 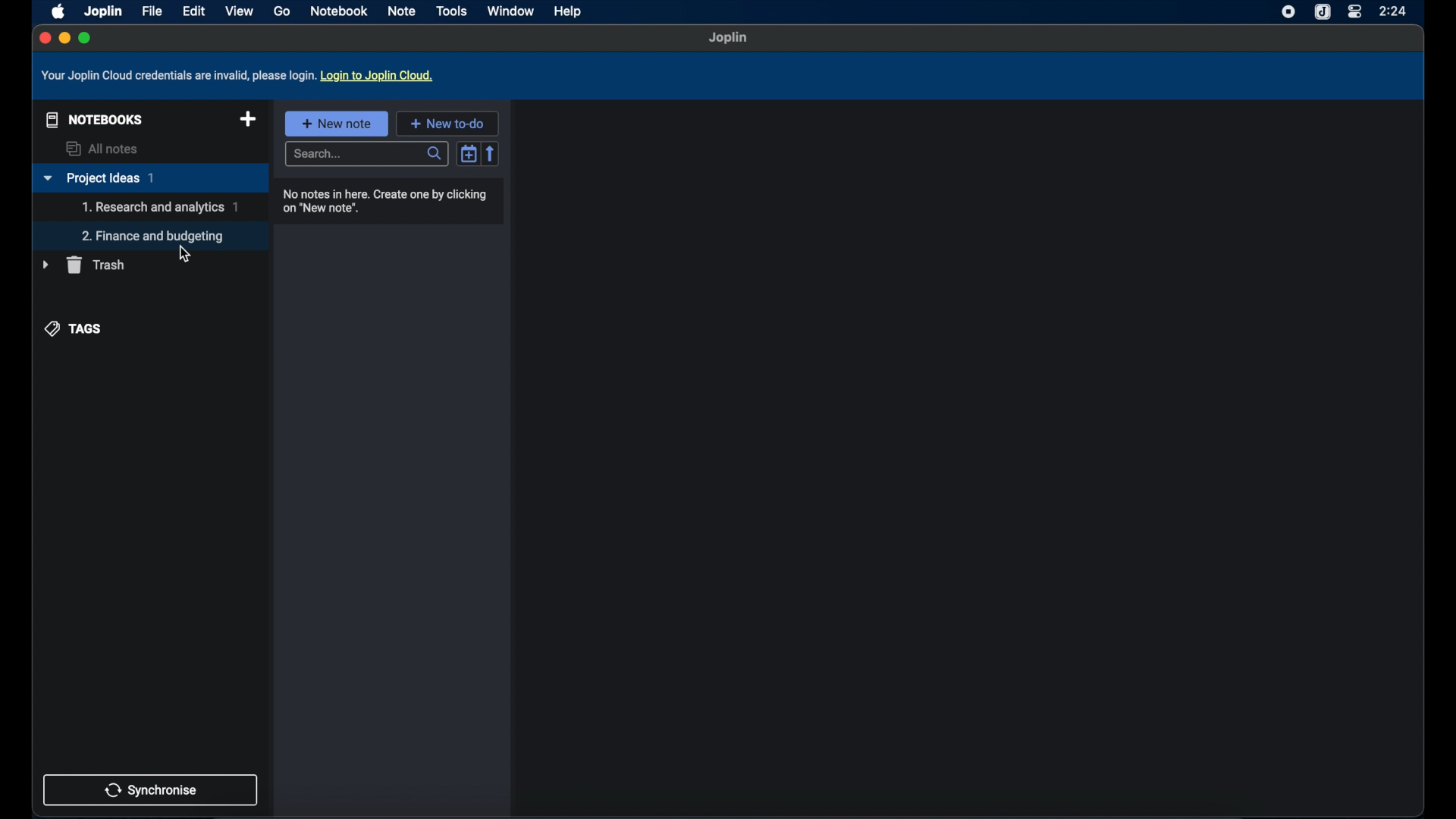 I want to click on drag cursor, so click(x=183, y=253).